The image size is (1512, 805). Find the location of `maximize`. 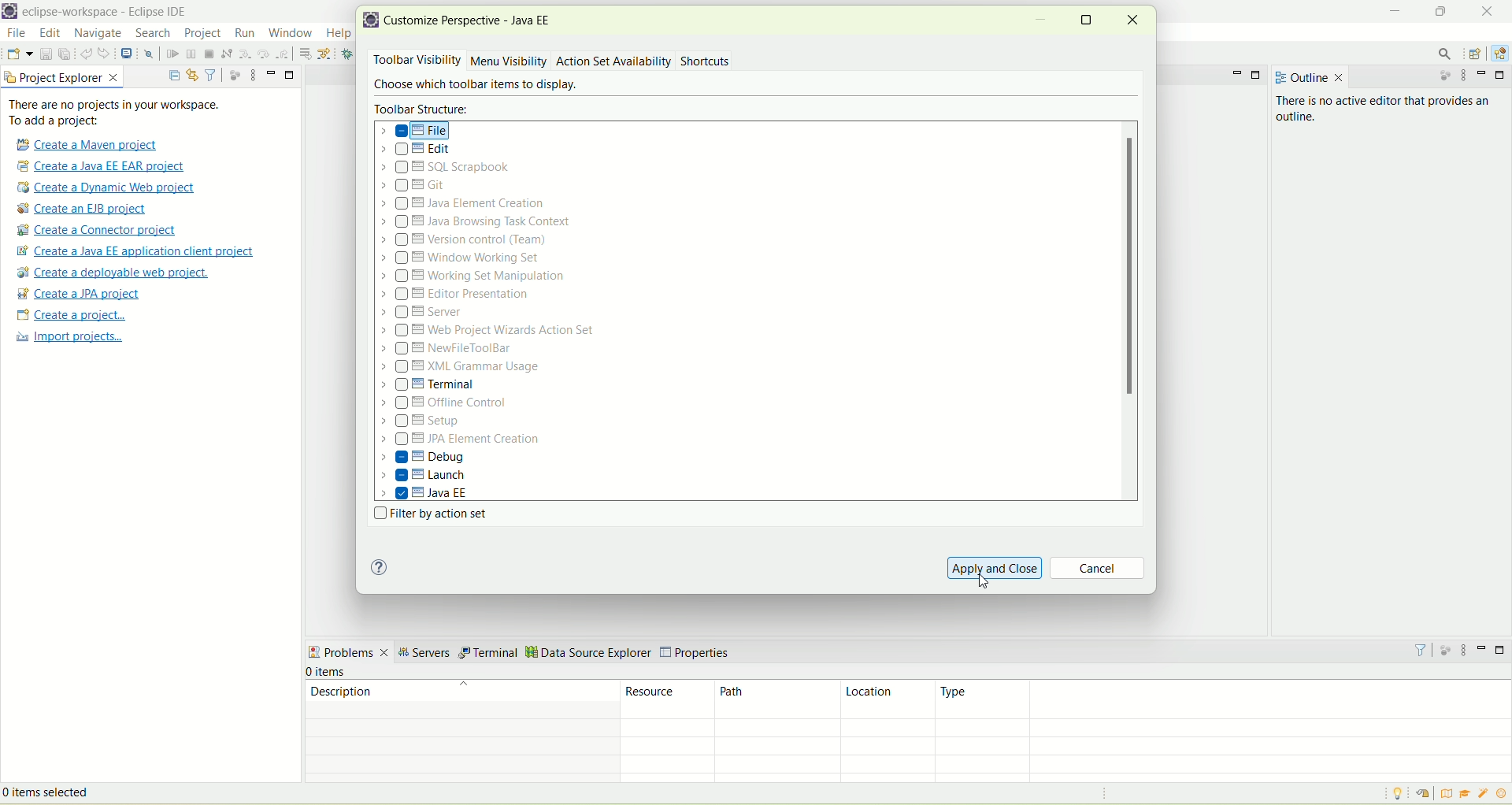

maximize is located at coordinates (1258, 74).